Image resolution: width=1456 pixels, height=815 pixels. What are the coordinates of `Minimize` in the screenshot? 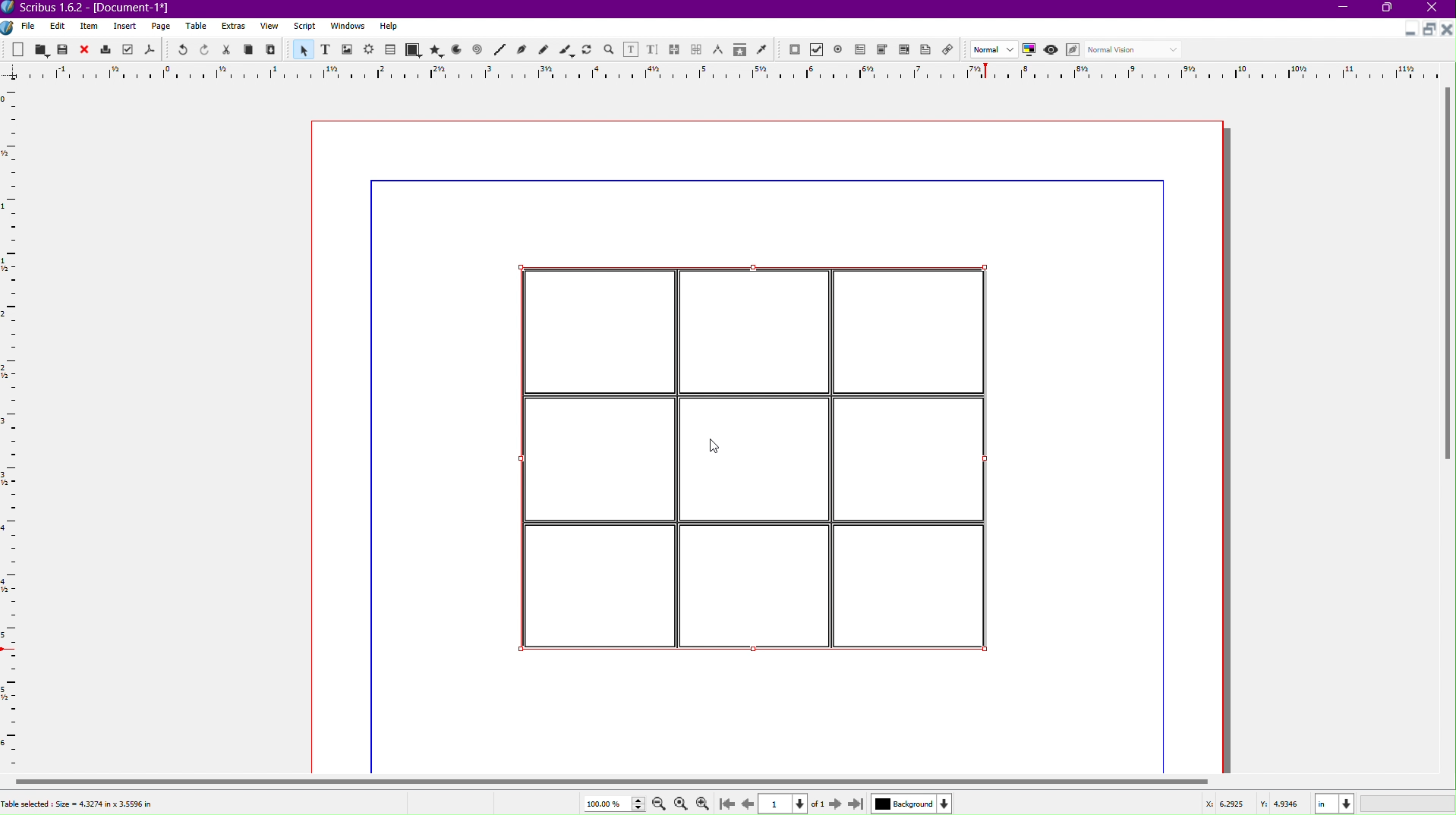 It's located at (1407, 31).